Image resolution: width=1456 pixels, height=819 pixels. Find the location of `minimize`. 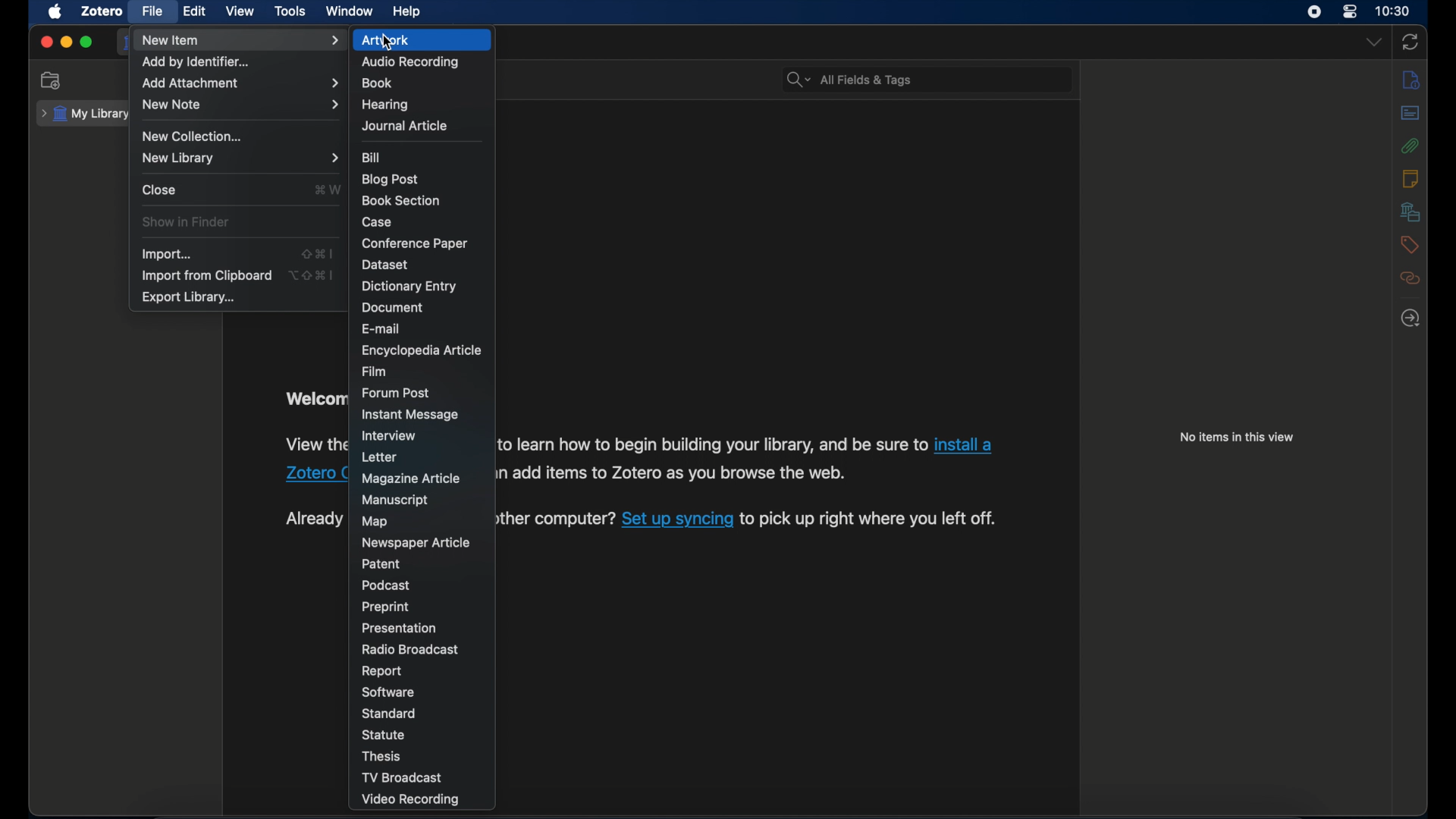

minimize is located at coordinates (65, 42).